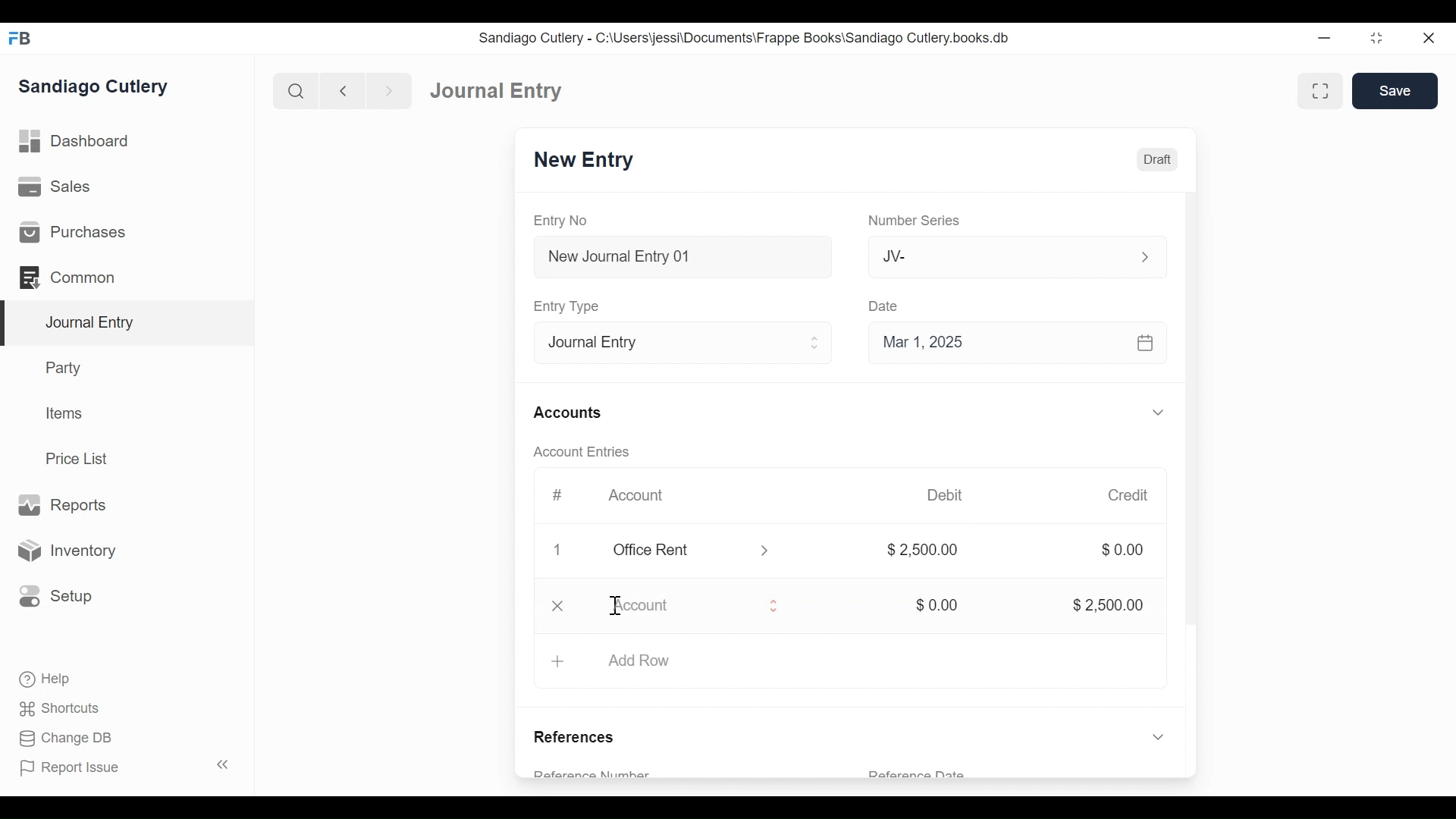 The image size is (1456, 819). Describe the element at coordinates (1128, 495) in the screenshot. I see `Credit` at that location.